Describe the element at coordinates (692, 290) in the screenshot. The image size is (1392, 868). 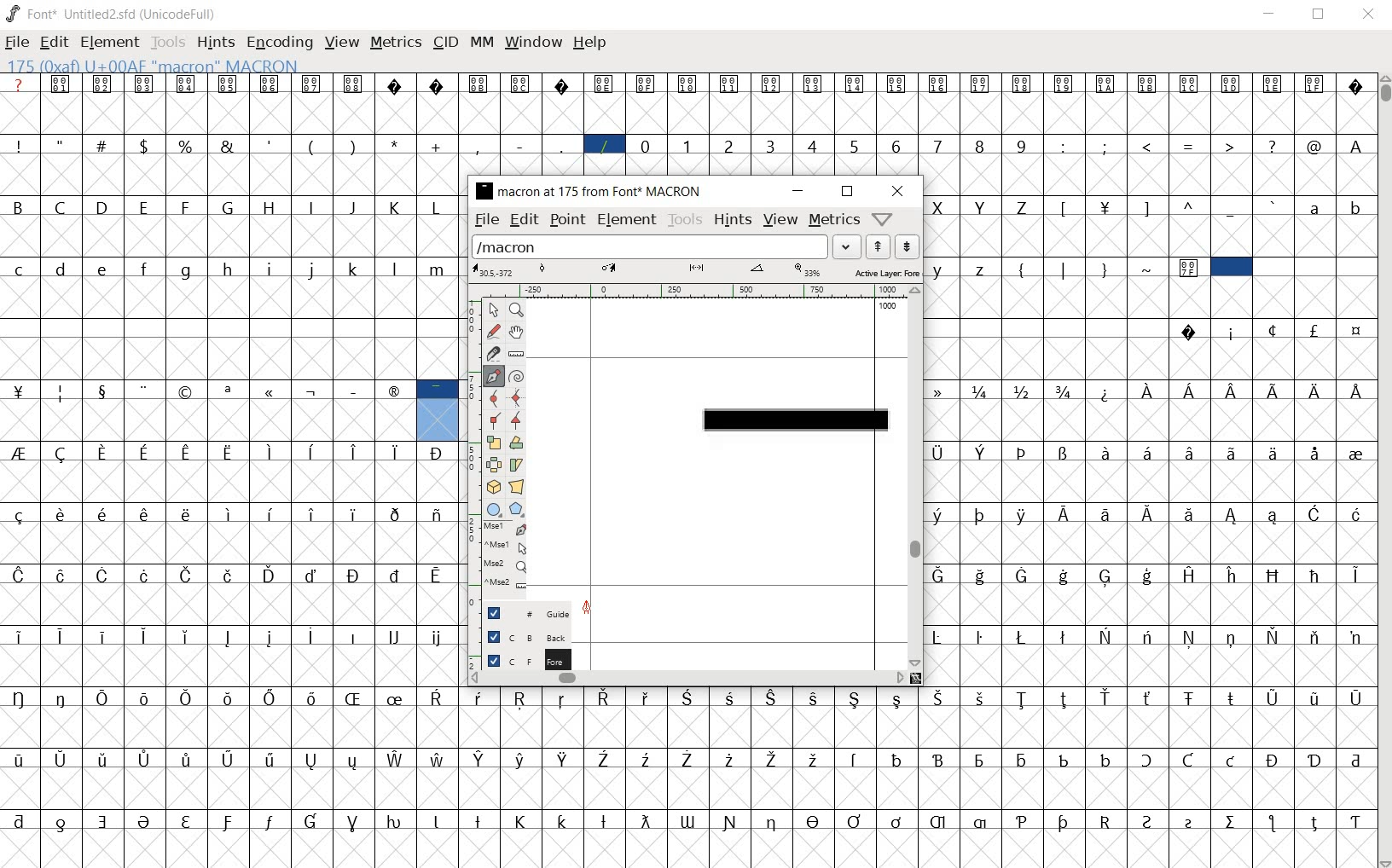
I see `ruler` at that location.